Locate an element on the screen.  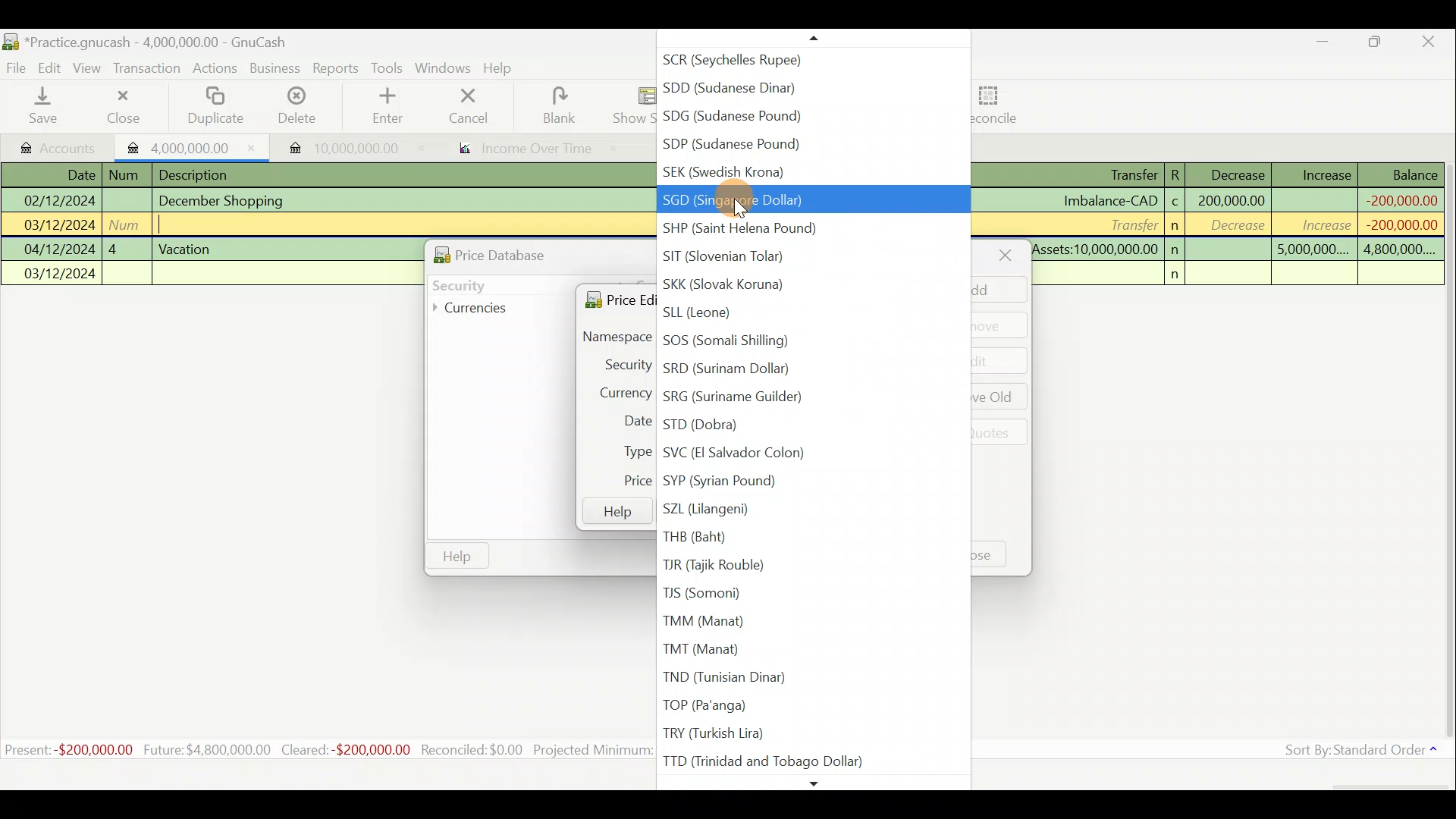
-200,000,000 is located at coordinates (1399, 199).